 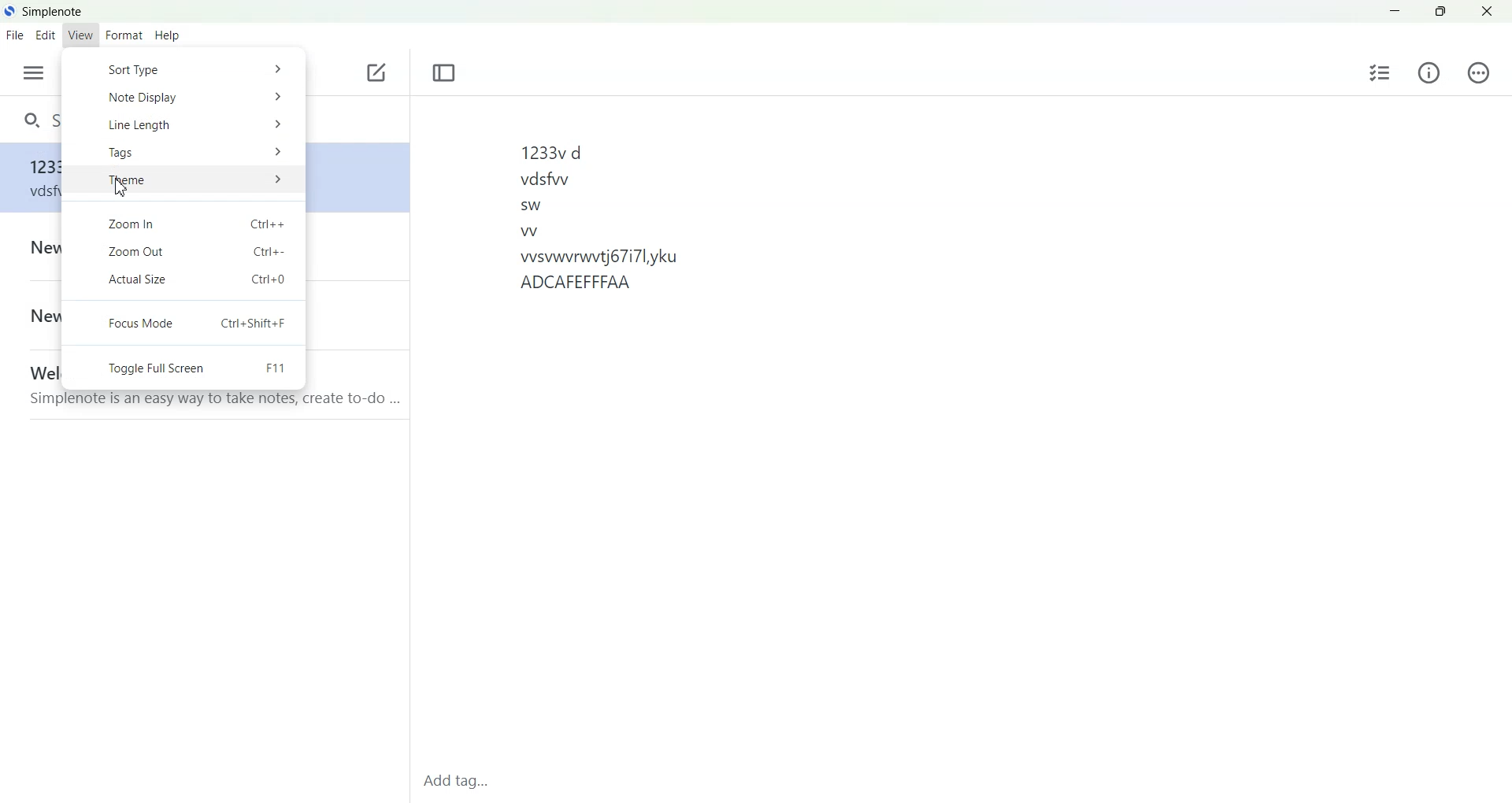 What do you see at coordinates (183, 368) in the screenshot?
I see `Toggle full screen` at bounding box center [183, 368].